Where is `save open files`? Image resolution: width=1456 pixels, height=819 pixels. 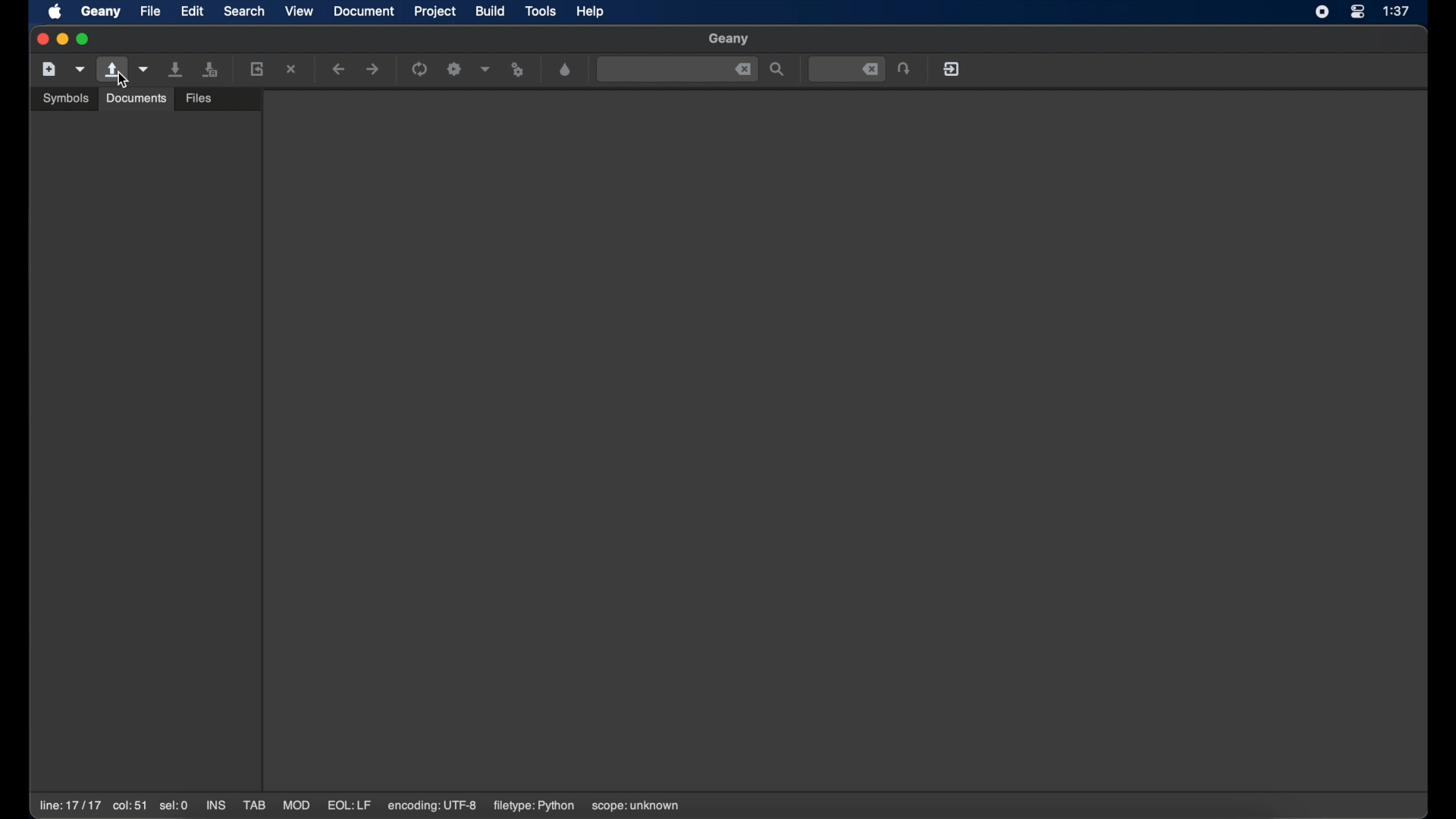
save open files is located at coordinates (212, 68).